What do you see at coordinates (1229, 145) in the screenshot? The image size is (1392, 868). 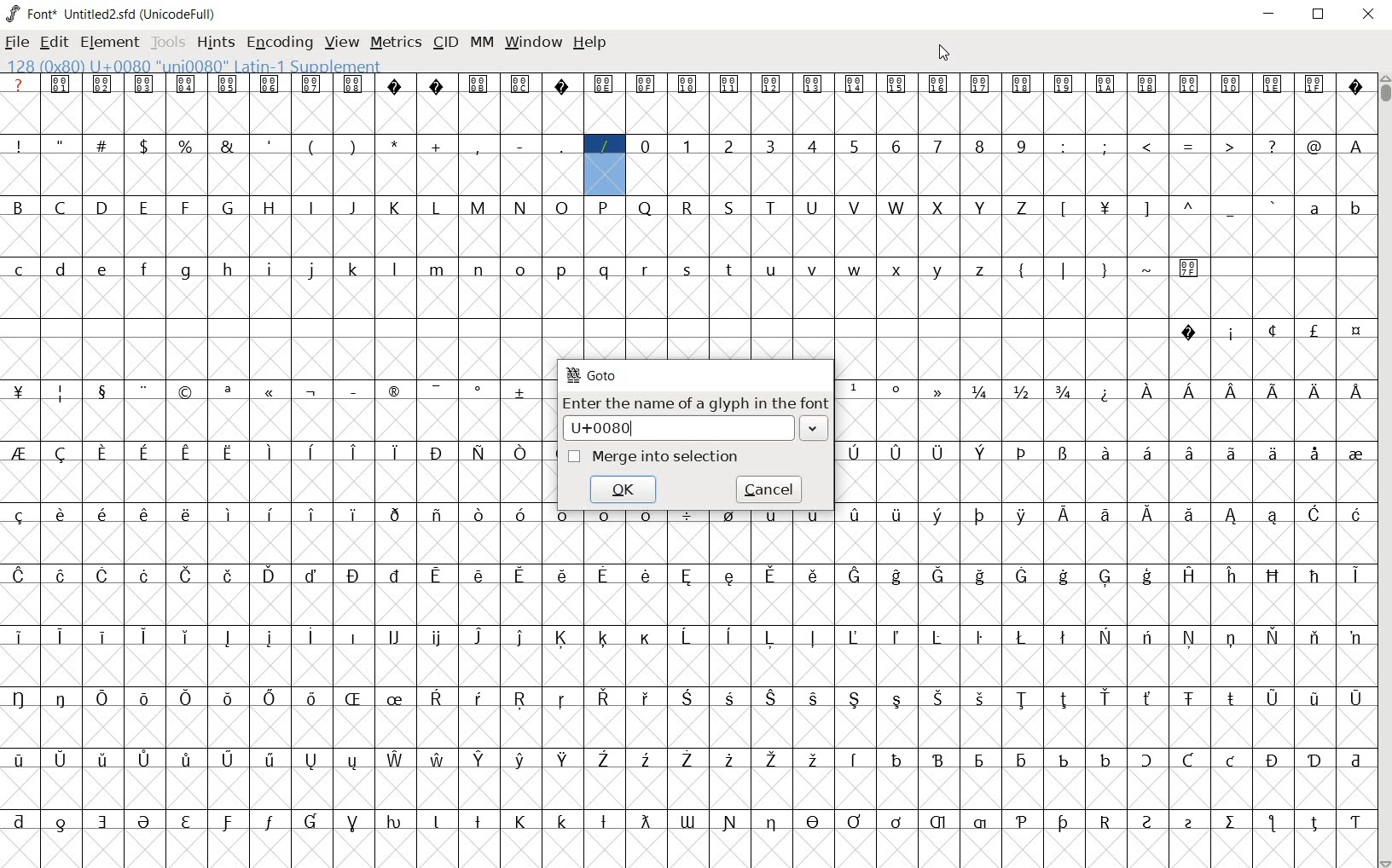 I see `glyph` at bounding box center [1229, 145].